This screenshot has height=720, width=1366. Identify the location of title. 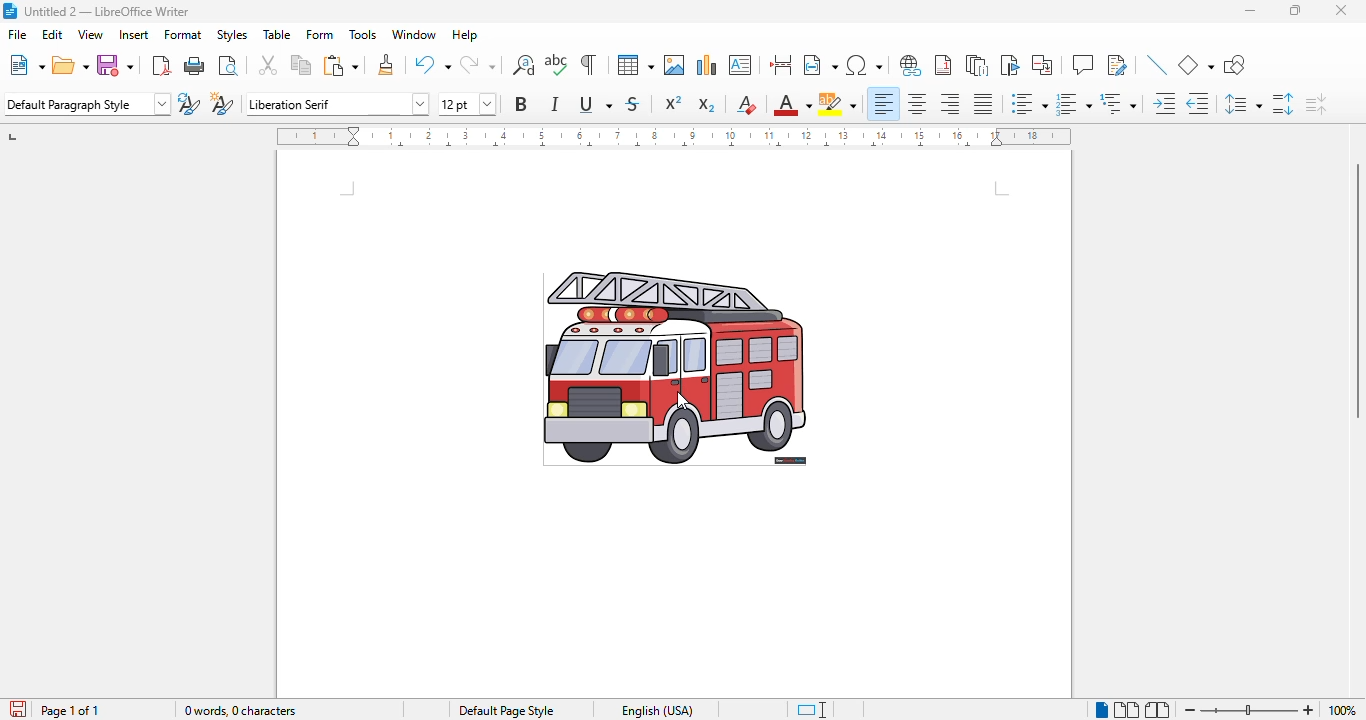
(107, 11).